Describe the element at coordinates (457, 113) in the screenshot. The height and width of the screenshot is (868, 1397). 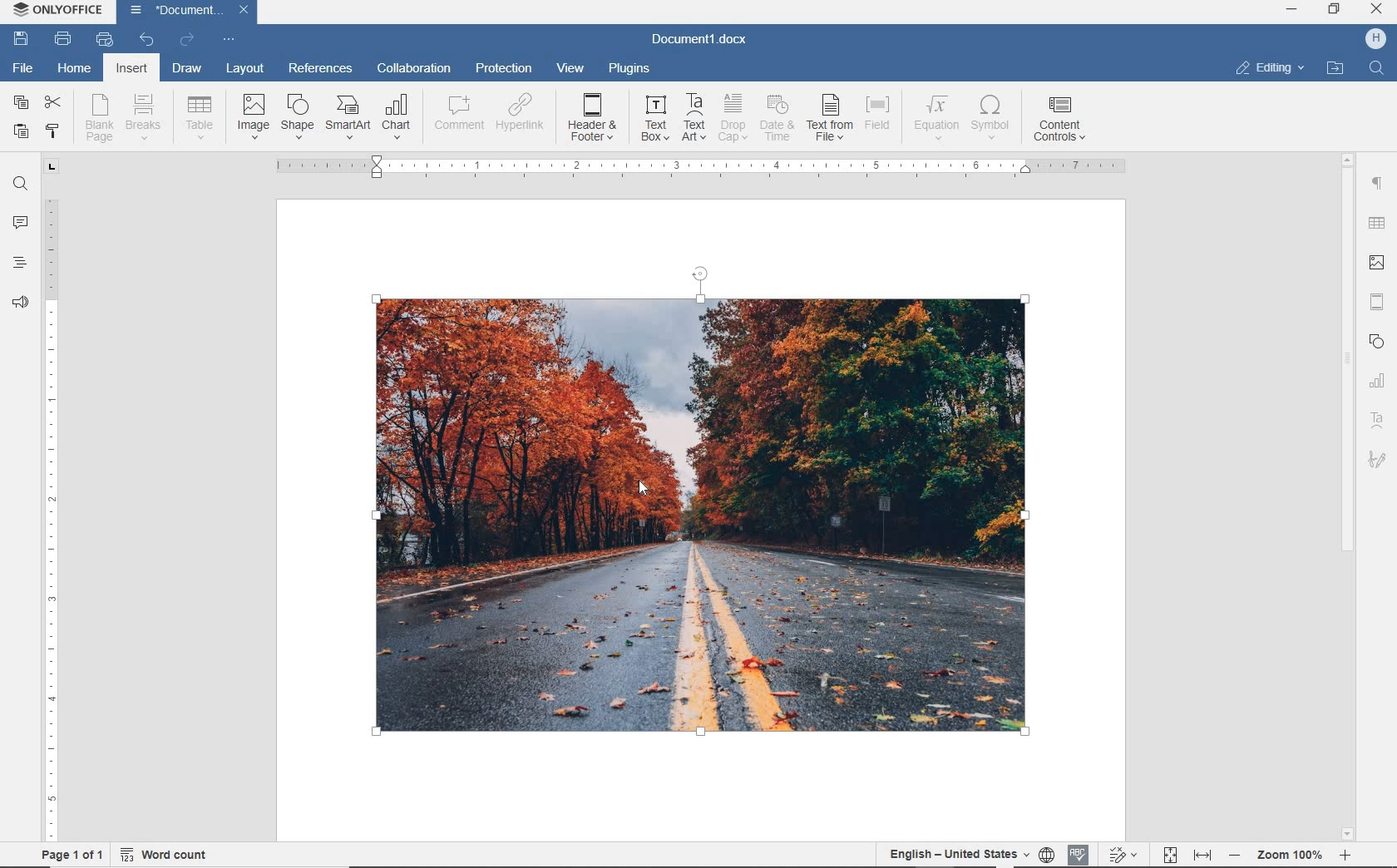
I see `comment` at that location.